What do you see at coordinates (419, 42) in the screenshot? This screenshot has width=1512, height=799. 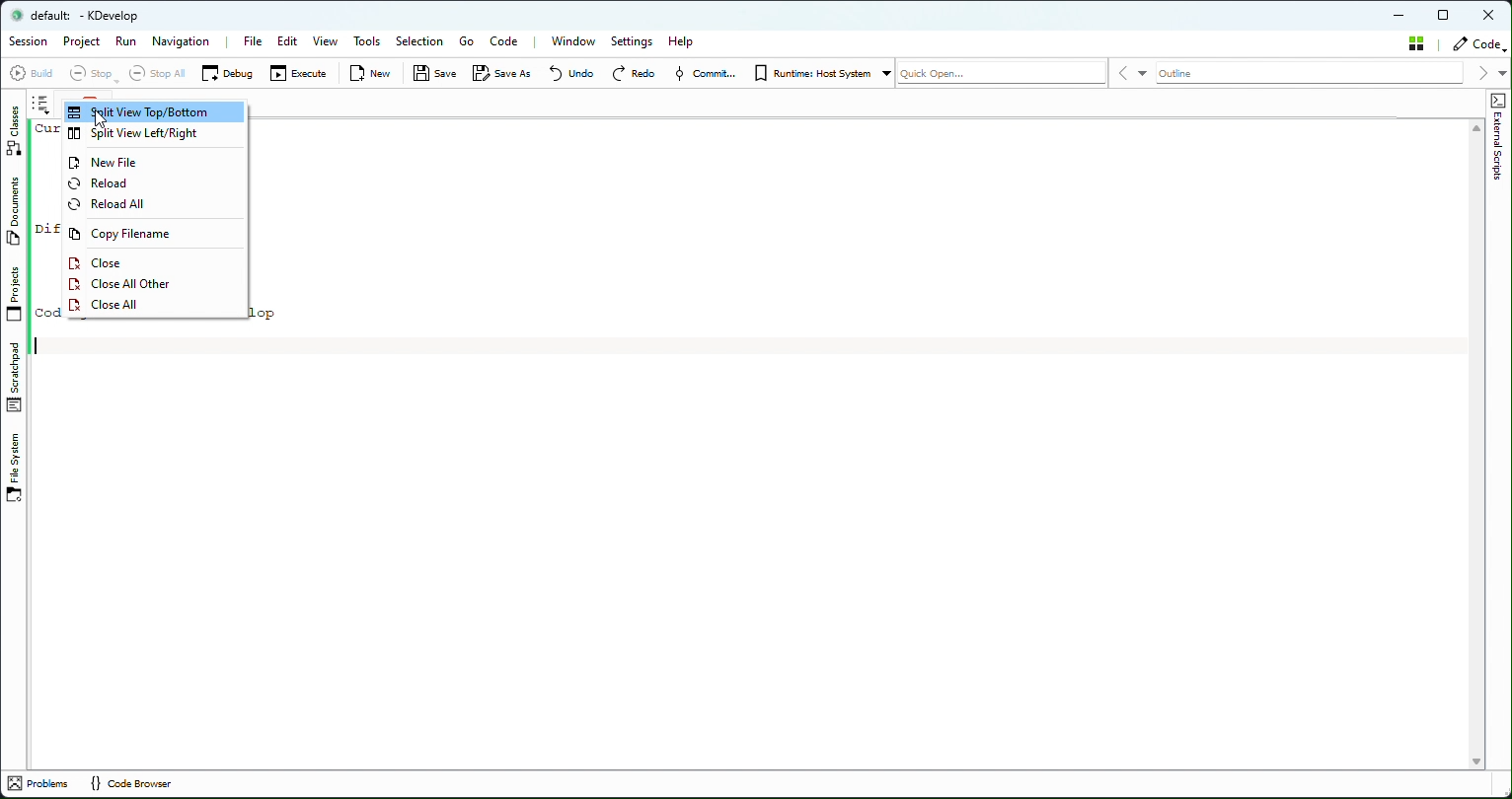 I see `Selection` at bounding box center [419, 42].